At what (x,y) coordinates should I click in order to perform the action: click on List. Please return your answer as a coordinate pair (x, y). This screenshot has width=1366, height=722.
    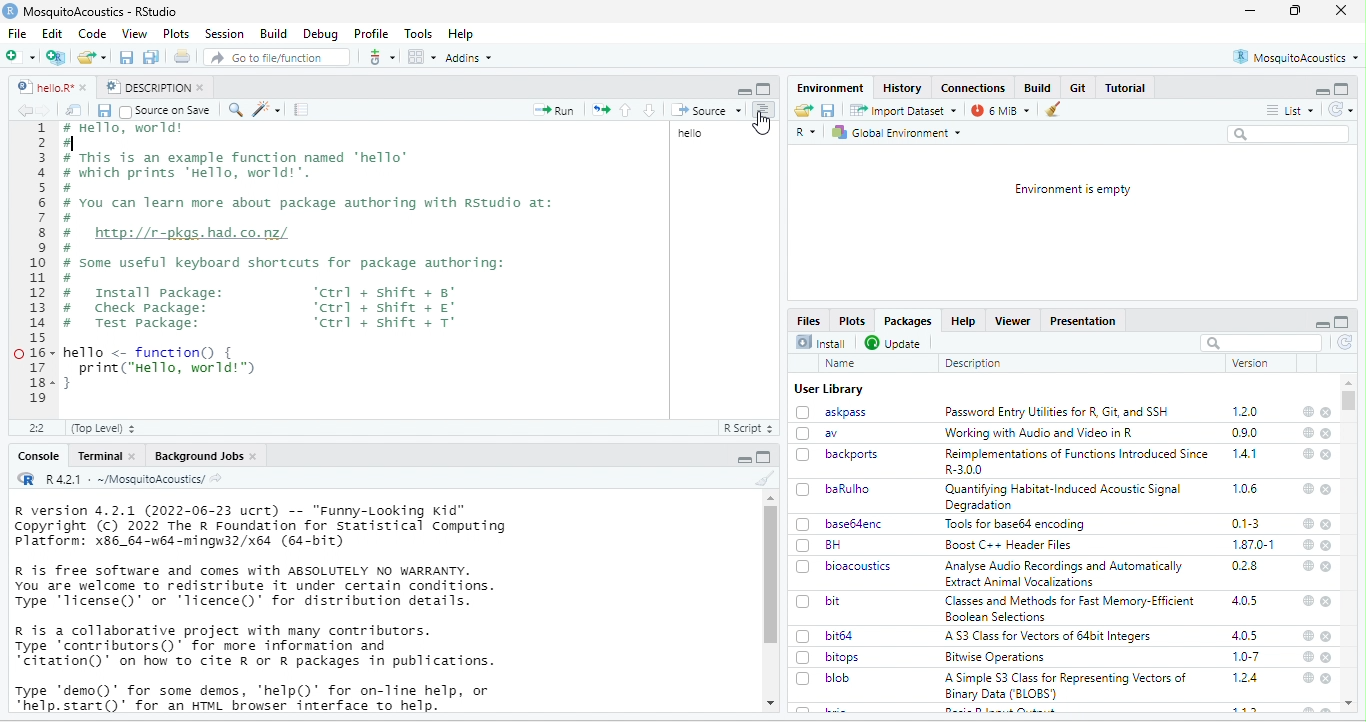
    Looking at the image, I should click on (1291, 109).